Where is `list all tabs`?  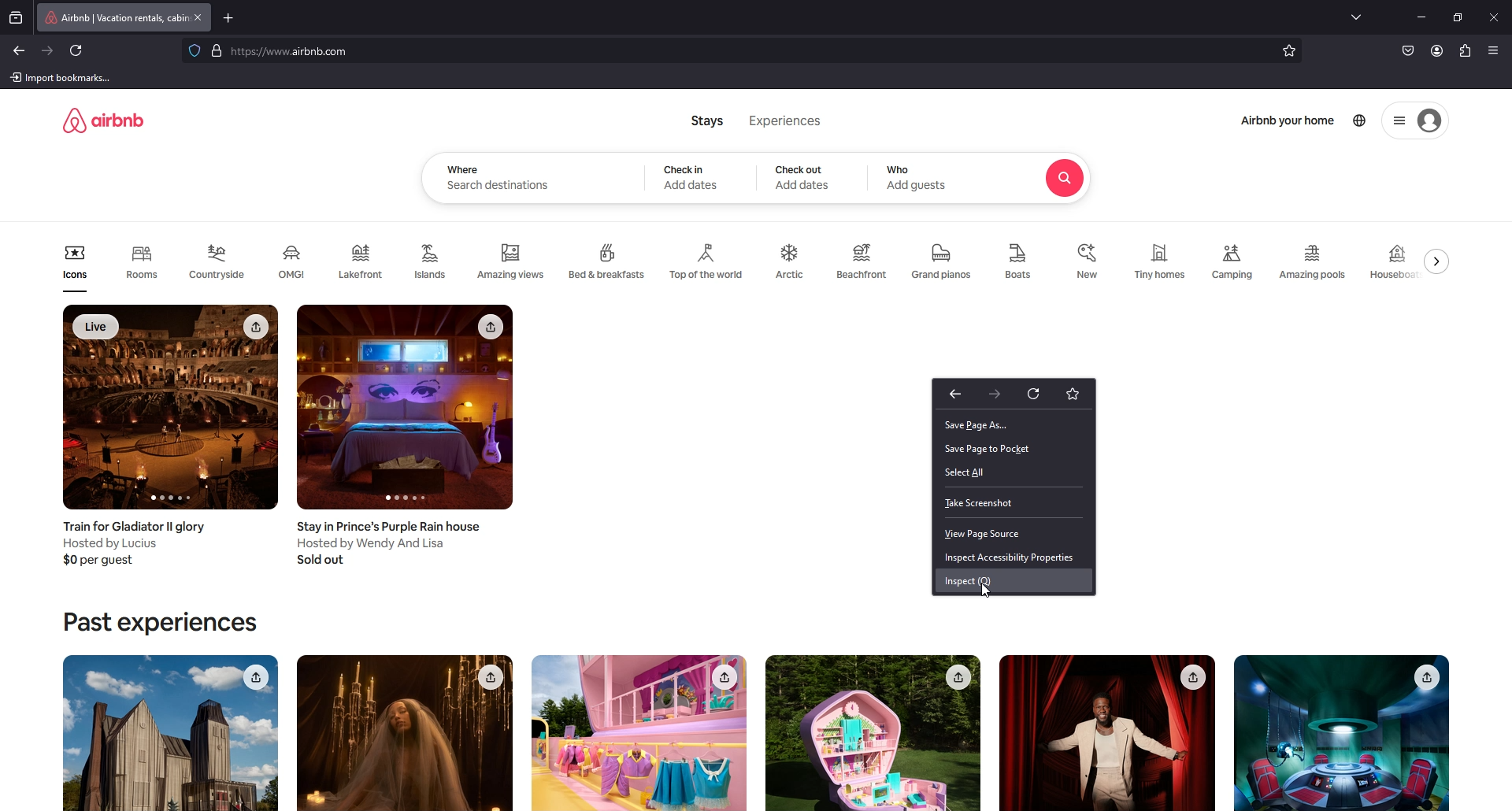
list all tabs is located at coordinates (1359, 16).